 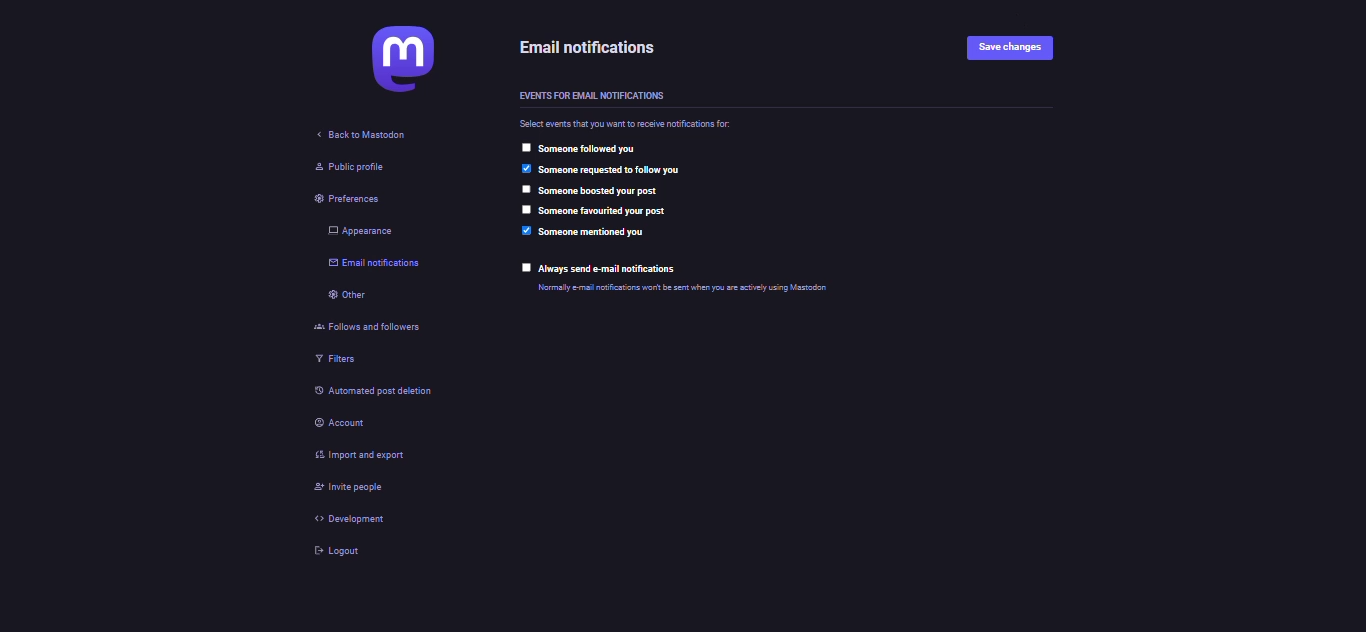 I want to click on click to enable, so click(x=525, y=209).